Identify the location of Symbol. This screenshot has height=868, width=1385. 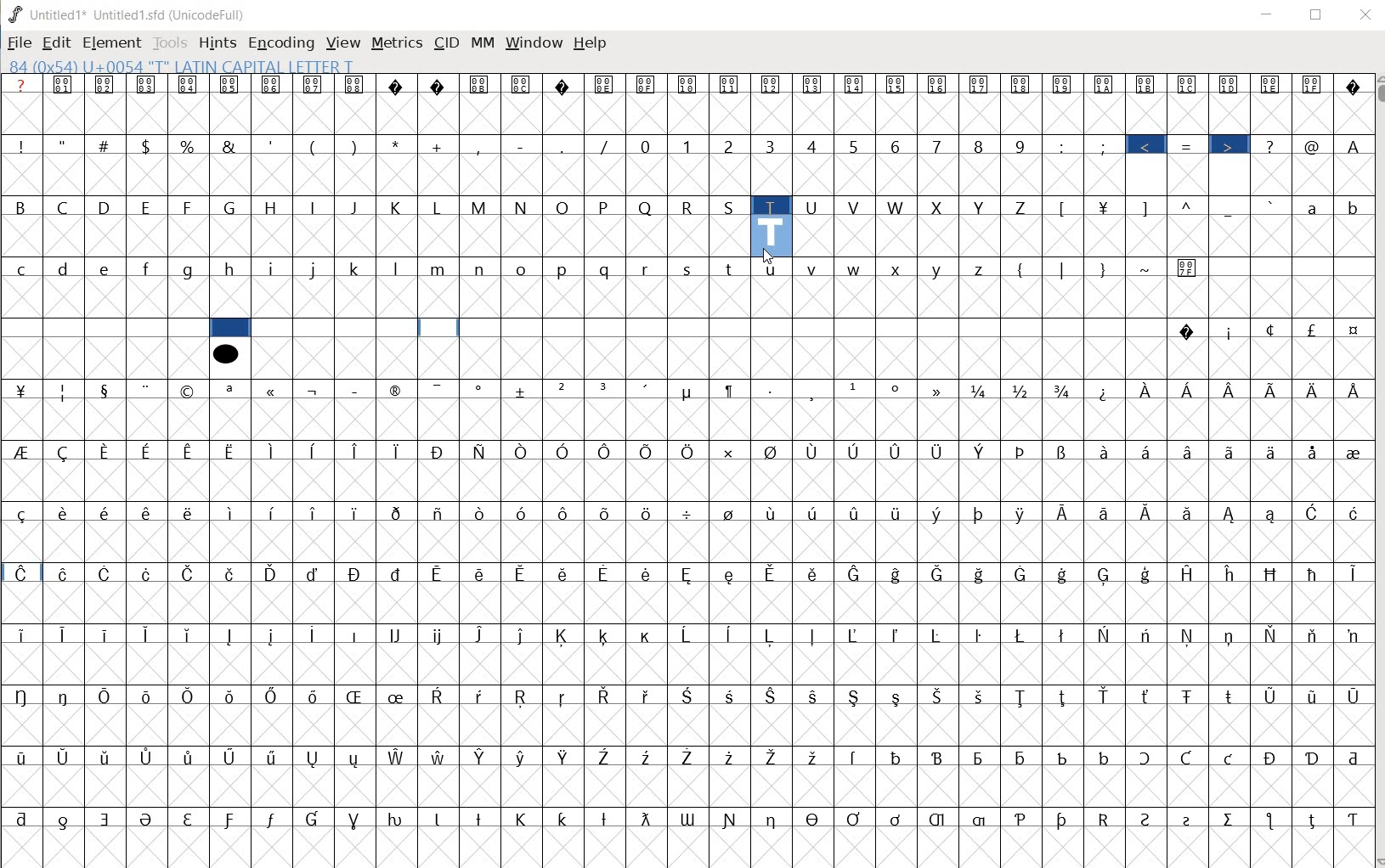
(356, 573).